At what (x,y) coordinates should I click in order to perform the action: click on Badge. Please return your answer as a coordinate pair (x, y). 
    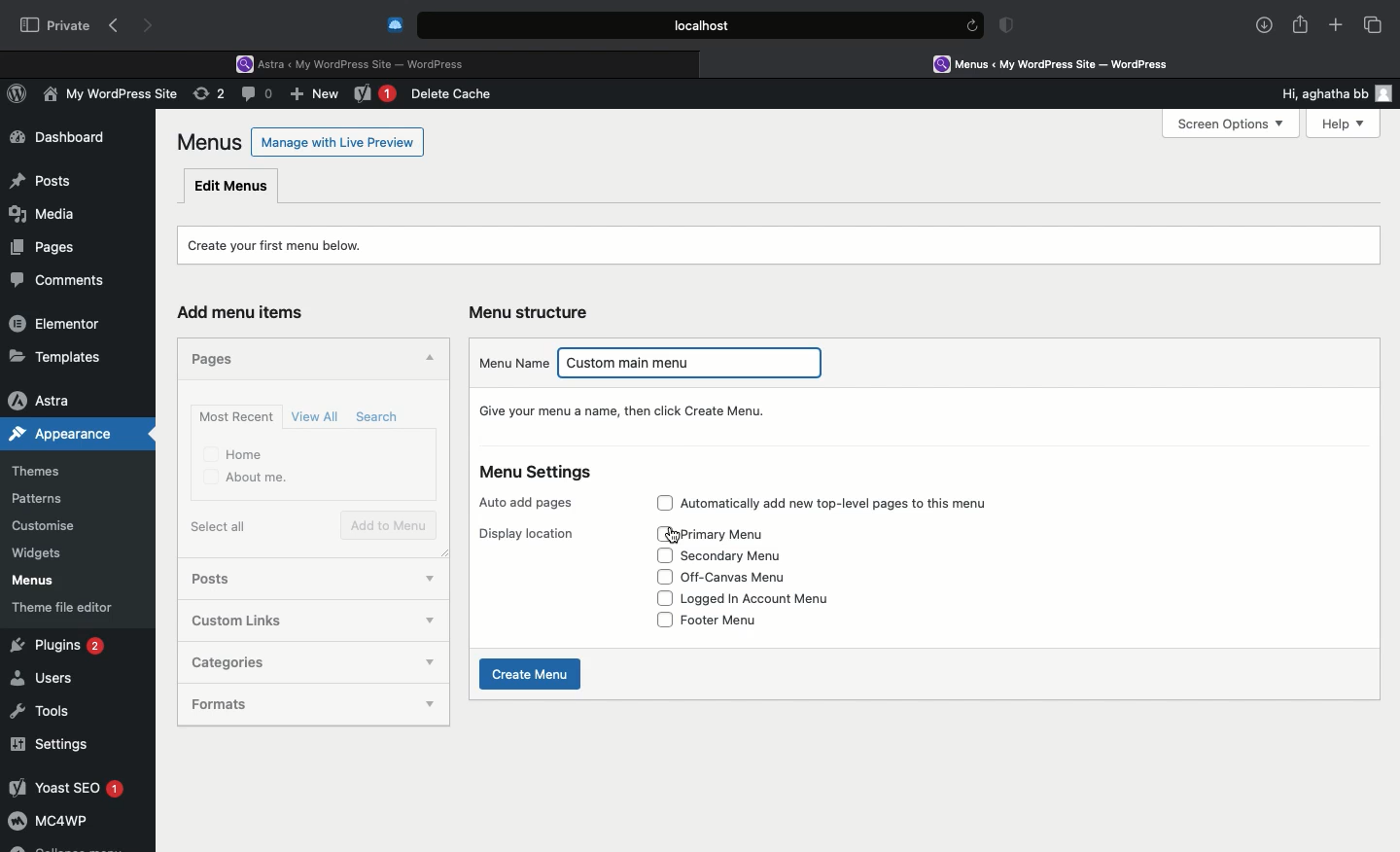
    Looking at the image, I should click on (1010, 27).